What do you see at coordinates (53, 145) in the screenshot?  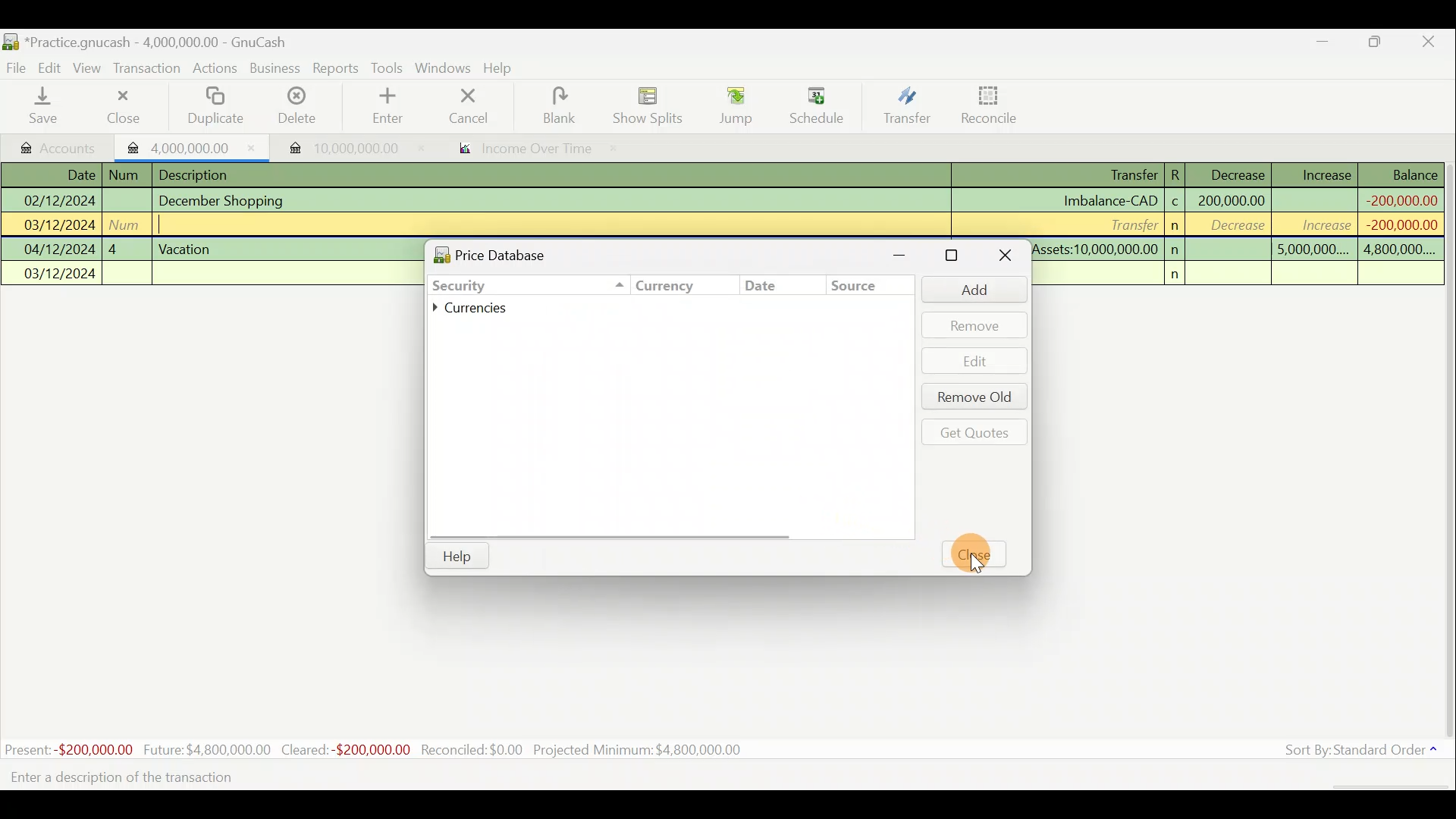 I see `Accounts` at bounding box center [53, 145].